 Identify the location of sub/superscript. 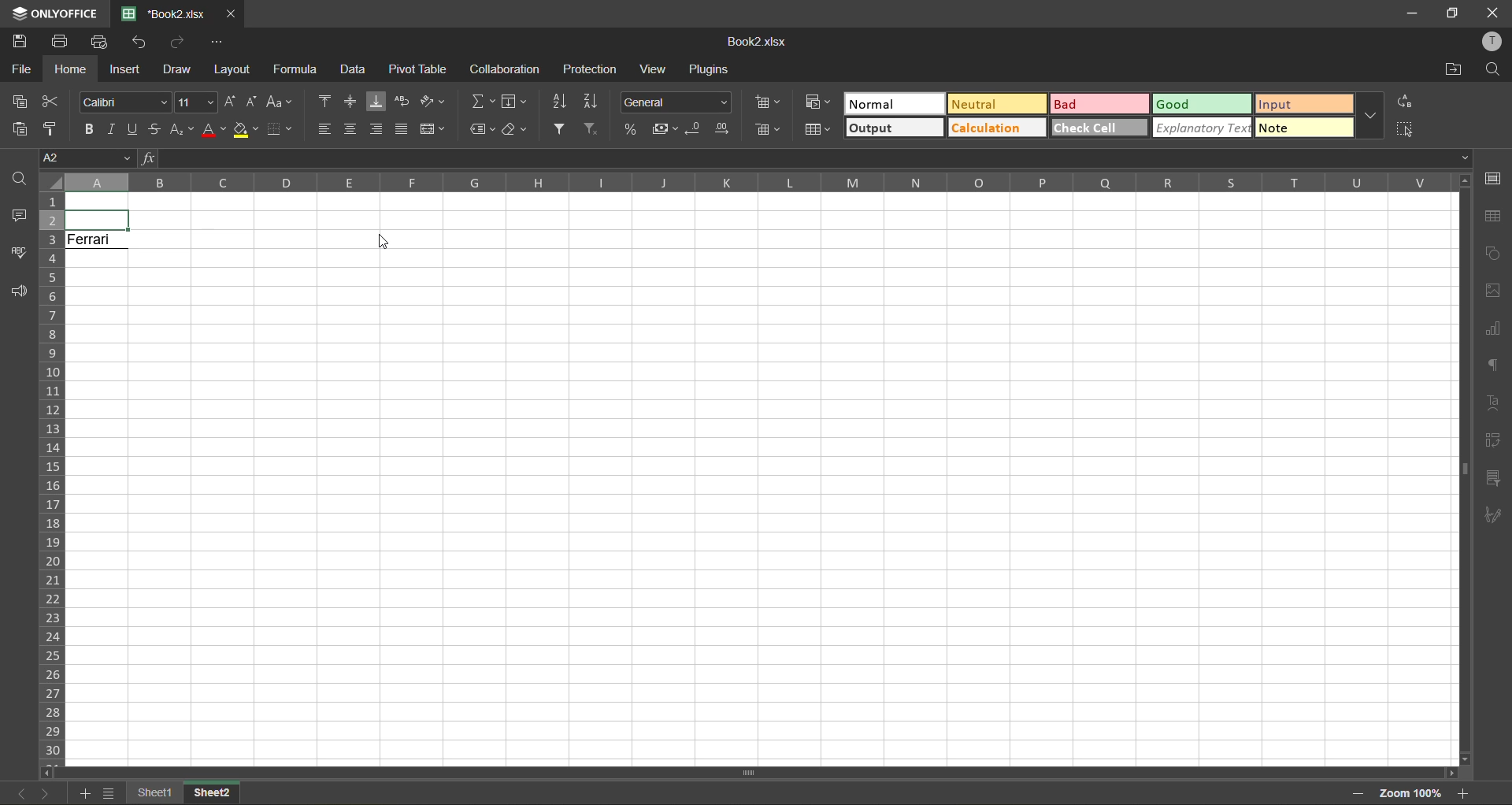
(182, 131).